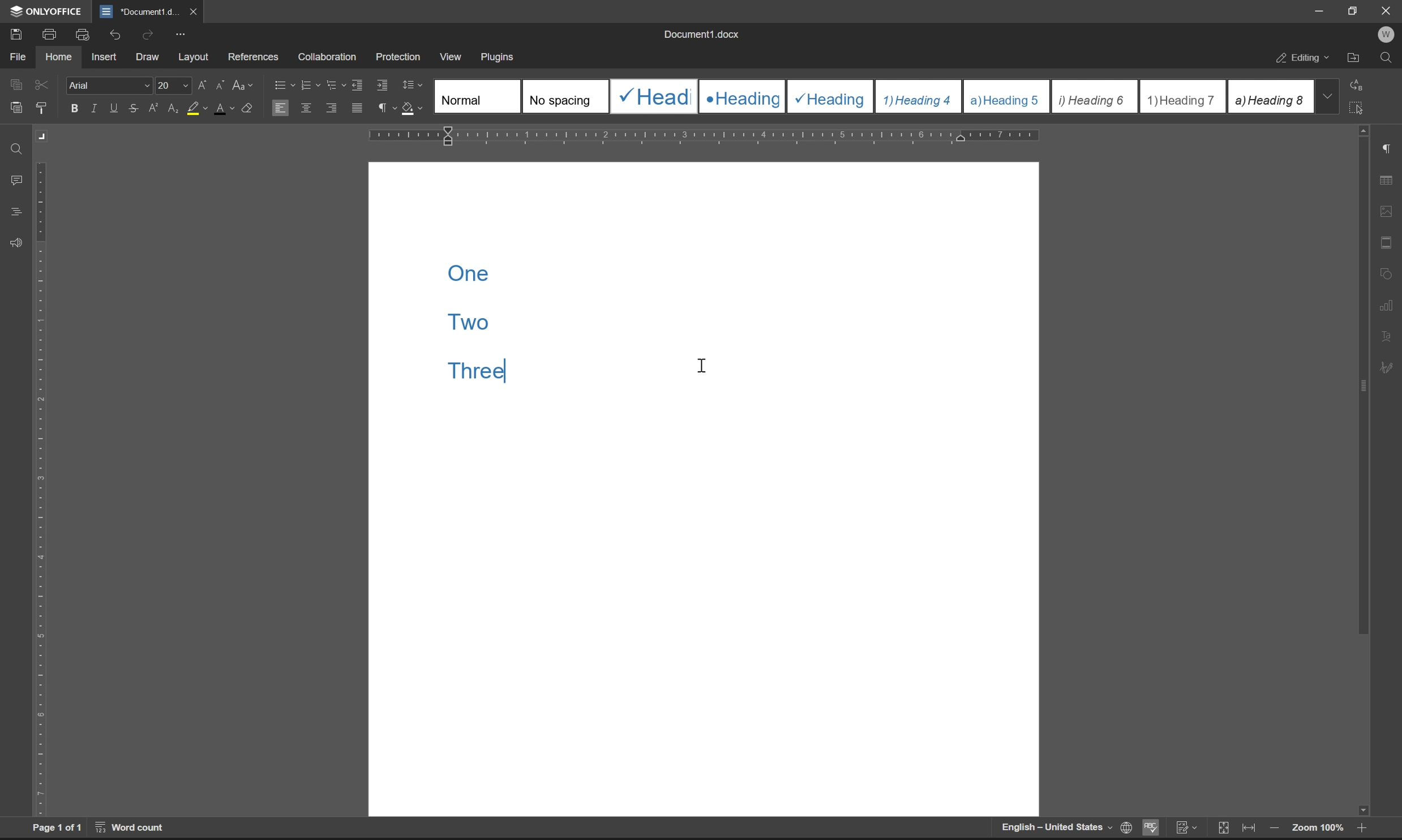 The width and height of the screenshot is (1402, 840). Describe the element at coordinates (400, 56) in the screenshot. I see `protection` at that location.